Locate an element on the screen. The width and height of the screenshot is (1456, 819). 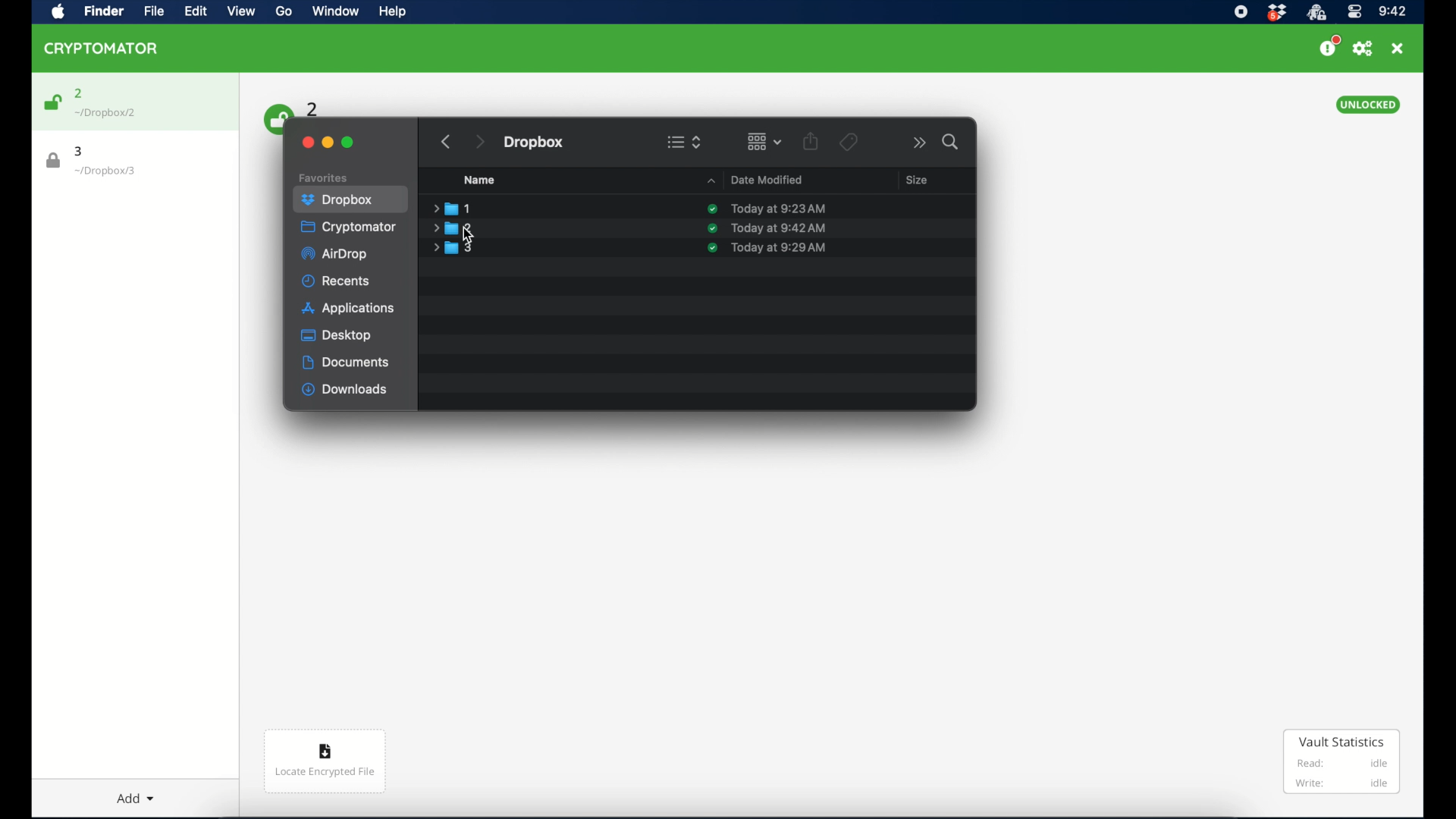
location is located at coordinates (105, 171).